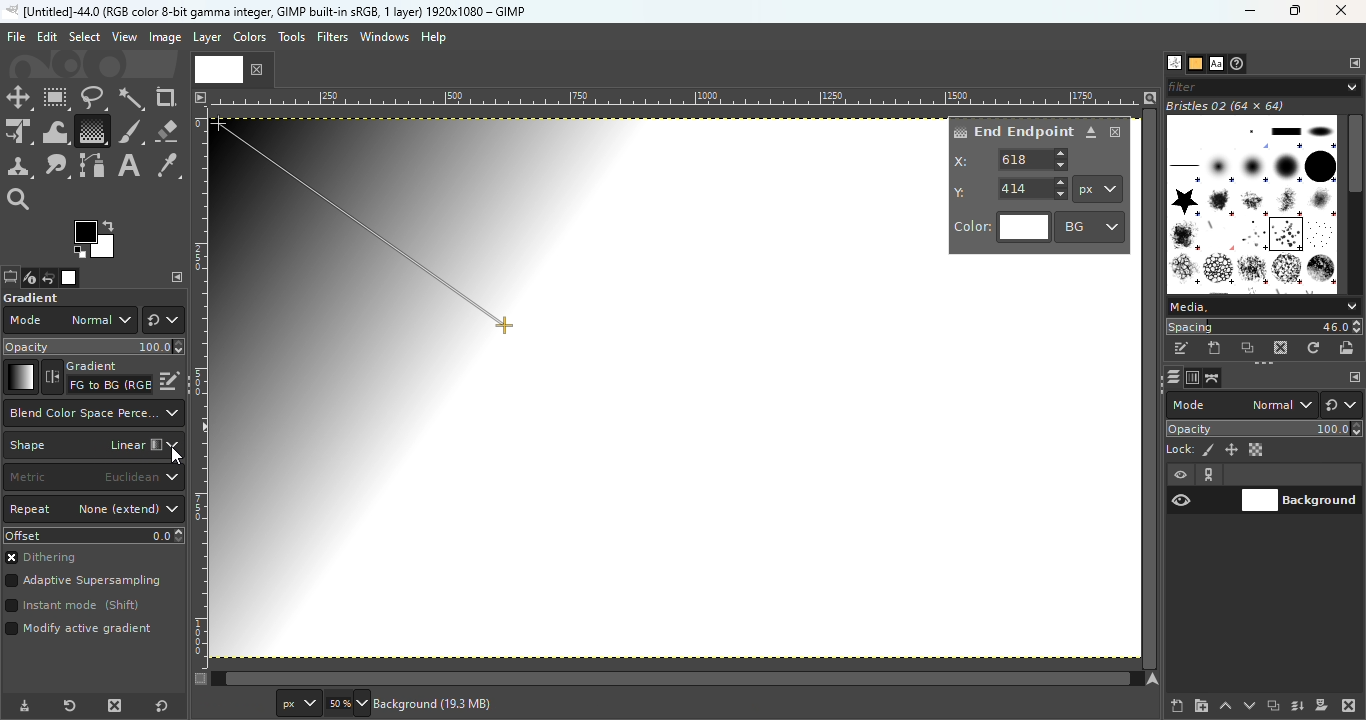  I want to click on Filter, so click(1264, 86).